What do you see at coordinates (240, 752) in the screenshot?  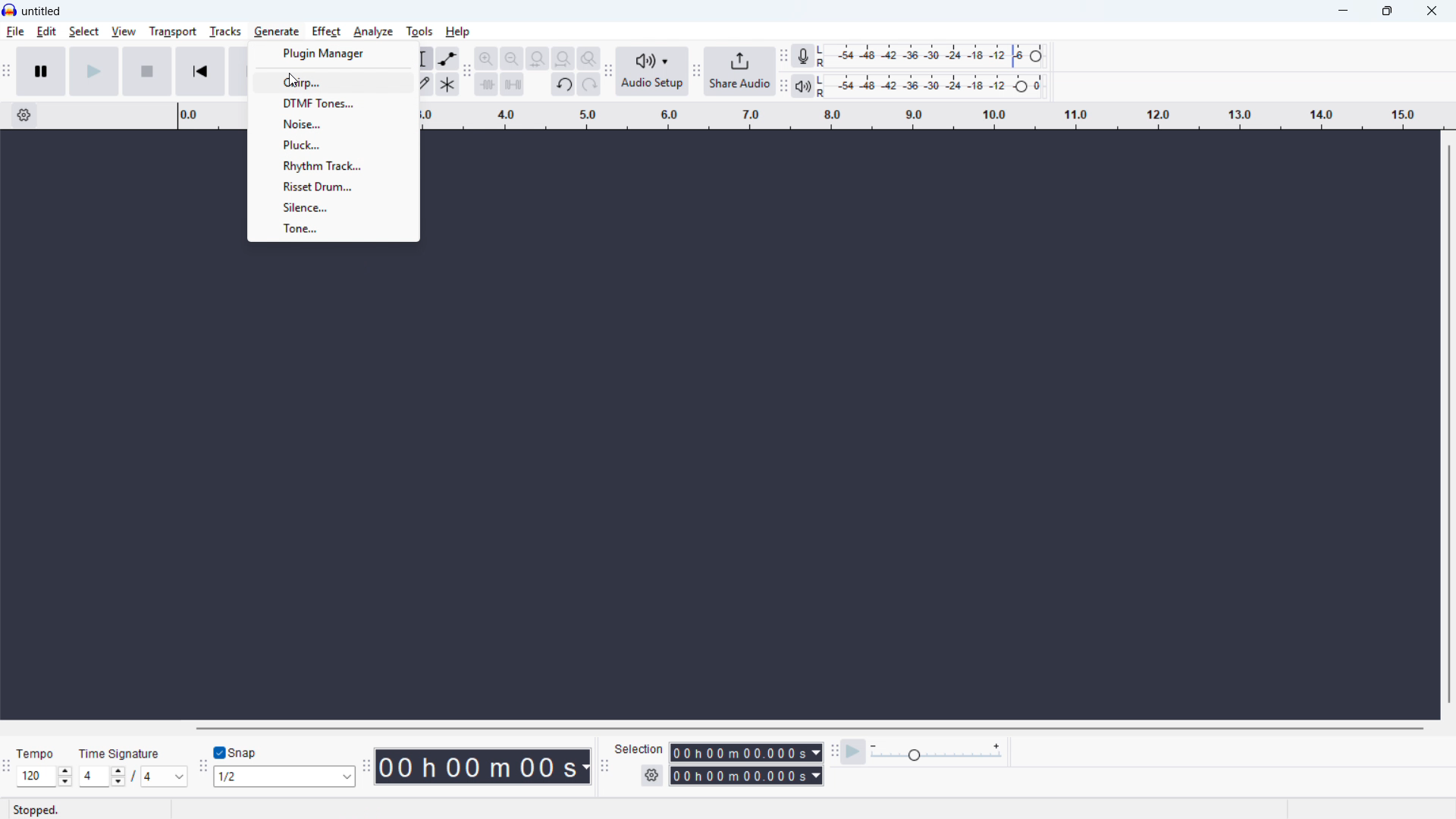 I see `Toggle snap ` at bounding box center [240, 752].